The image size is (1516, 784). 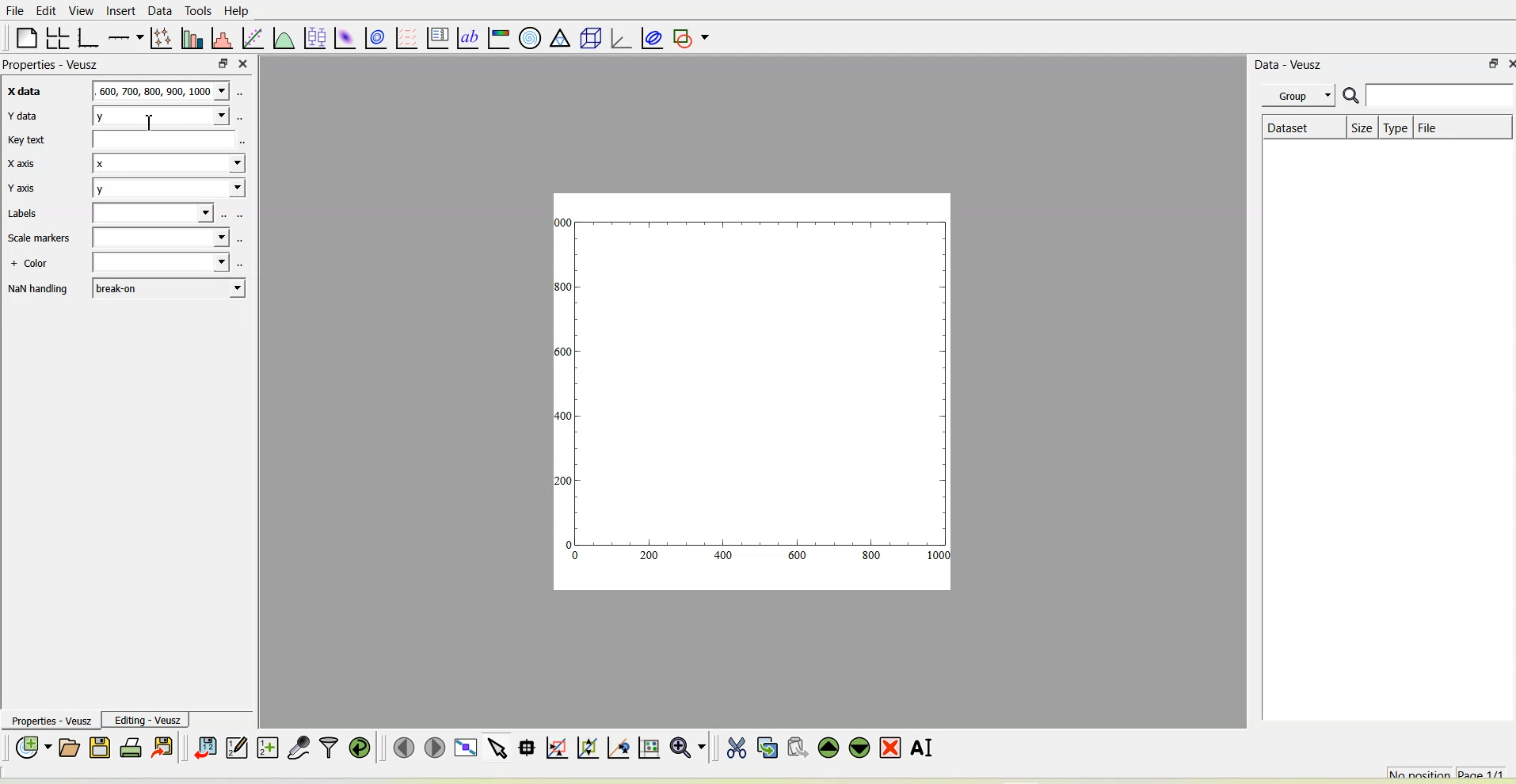 What do you see at coordinates (768, 748) in the screenshot?
I see `Copy the selected widget` at bounding box center [768, 748].